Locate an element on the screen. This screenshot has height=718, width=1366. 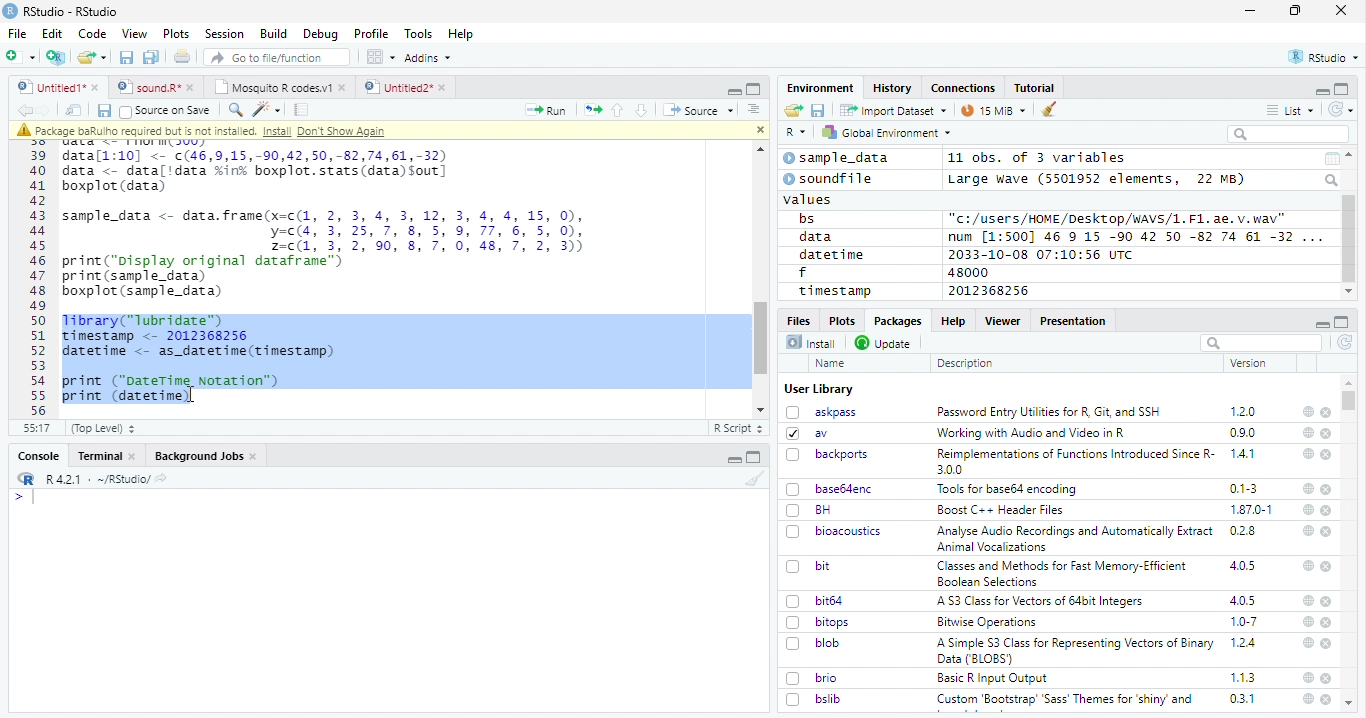
A Simple S3 Class for Representing Vectors of Binary
Data (BLOBS) is located at coordinates (1077, 650).